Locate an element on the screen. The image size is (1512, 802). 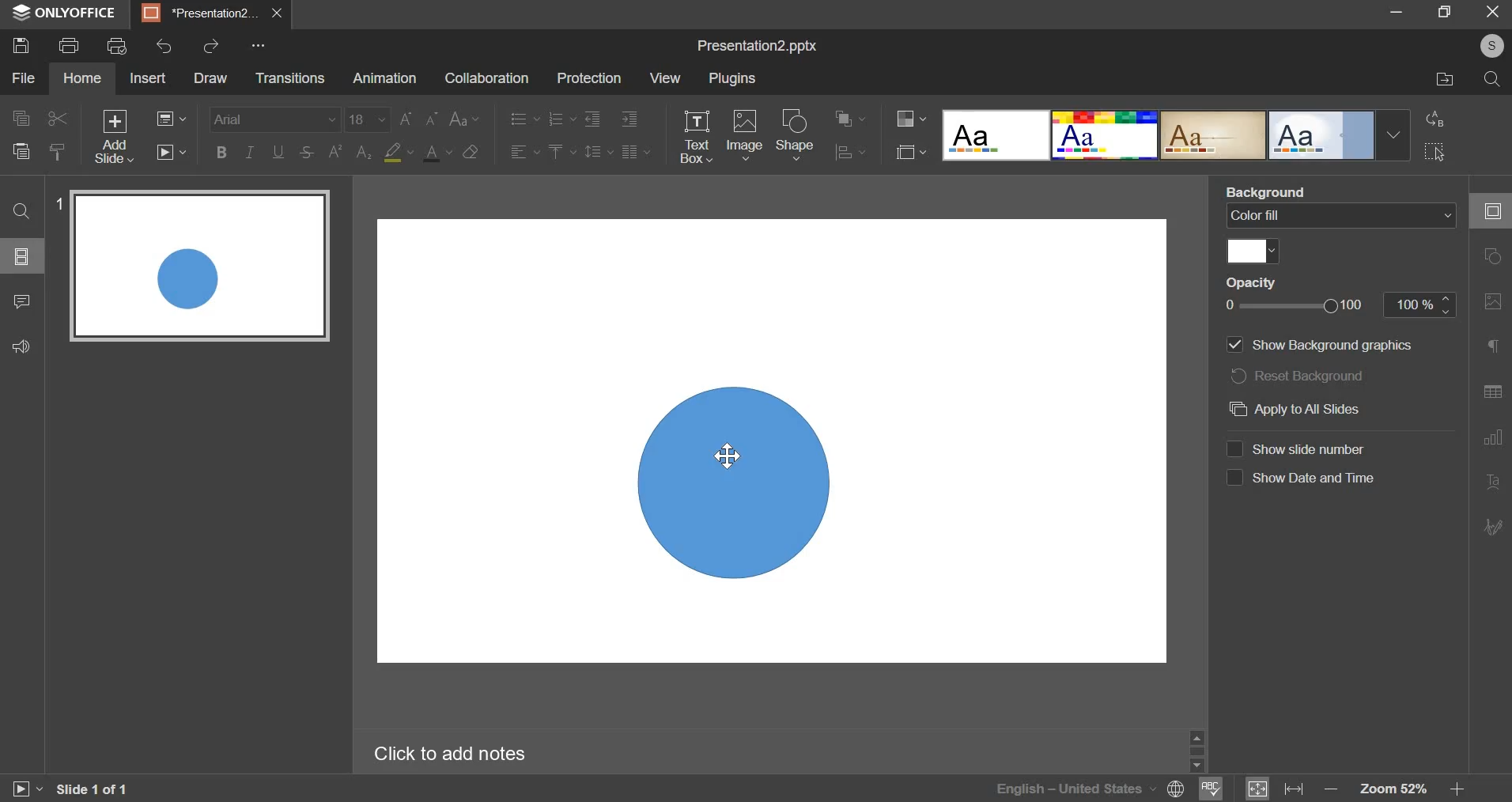
minimize is located at coordinates (1393, 13).